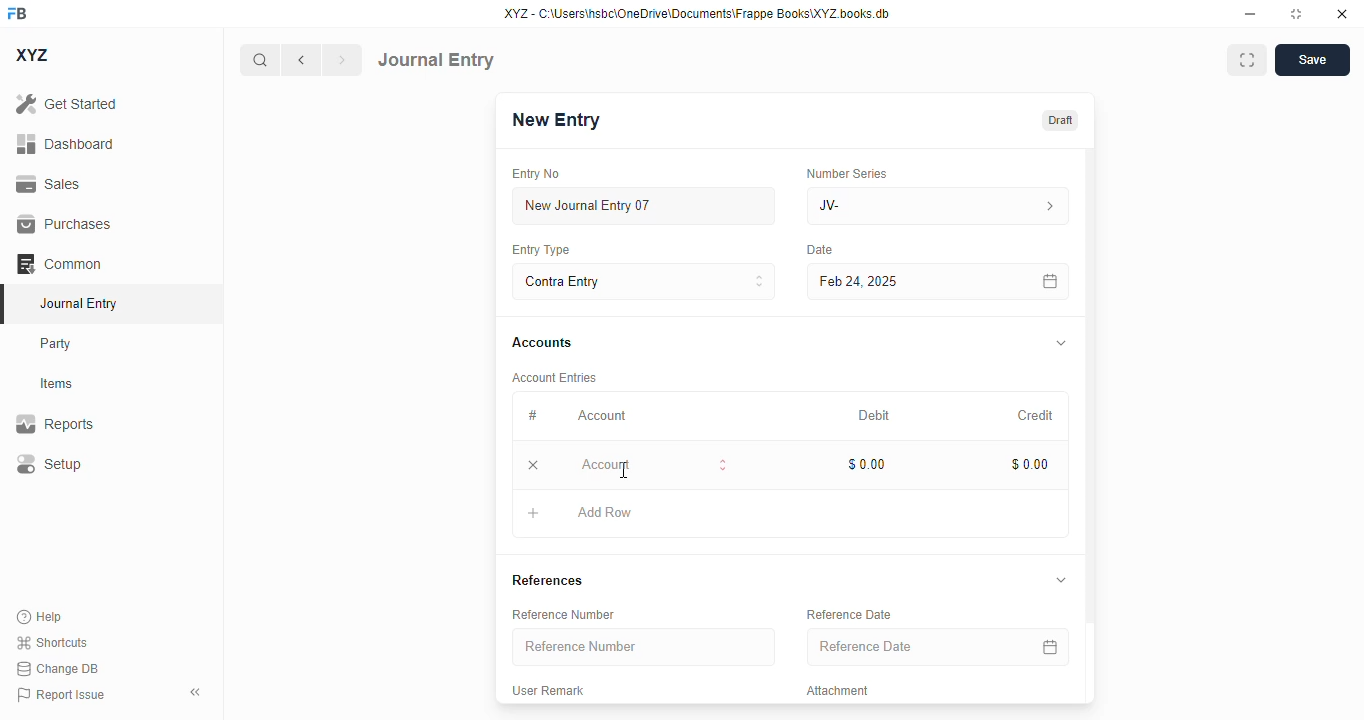  I want to click on entry type, so click(542, 250).